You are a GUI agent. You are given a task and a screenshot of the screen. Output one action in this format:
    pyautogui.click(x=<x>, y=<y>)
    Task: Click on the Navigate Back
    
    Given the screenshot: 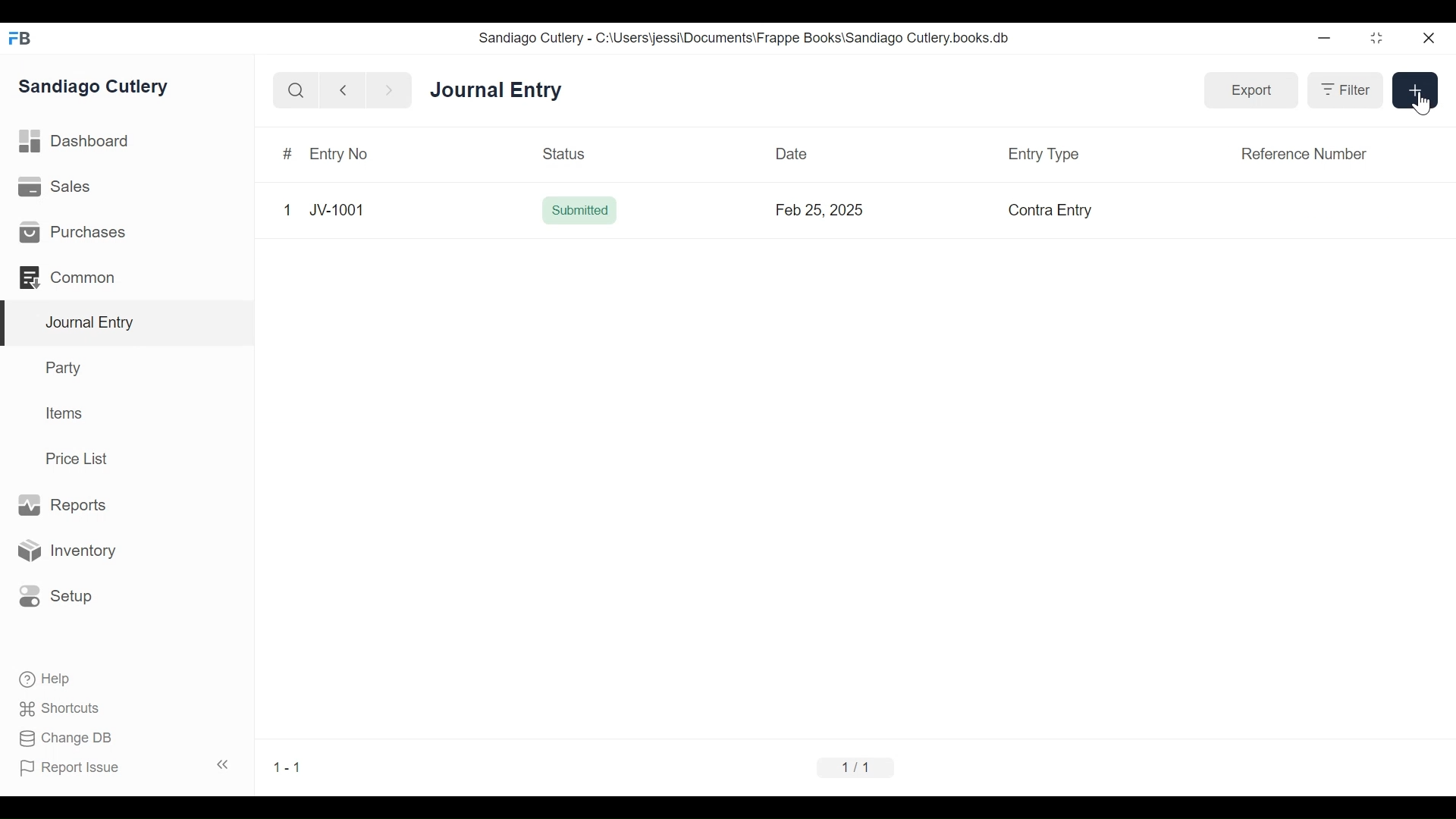 What is the action you would take?
    pyautogui.click(x=344, y=91)
    